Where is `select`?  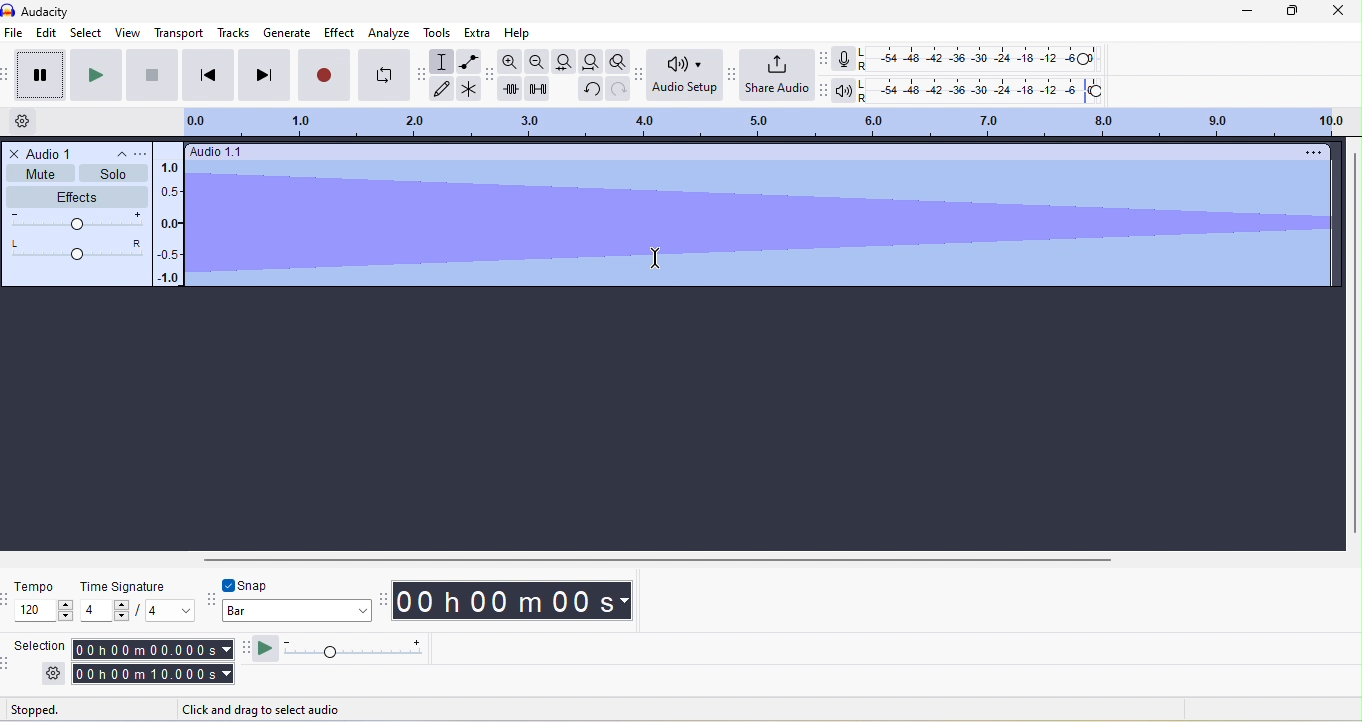 select is located at coordinates (86, 34).